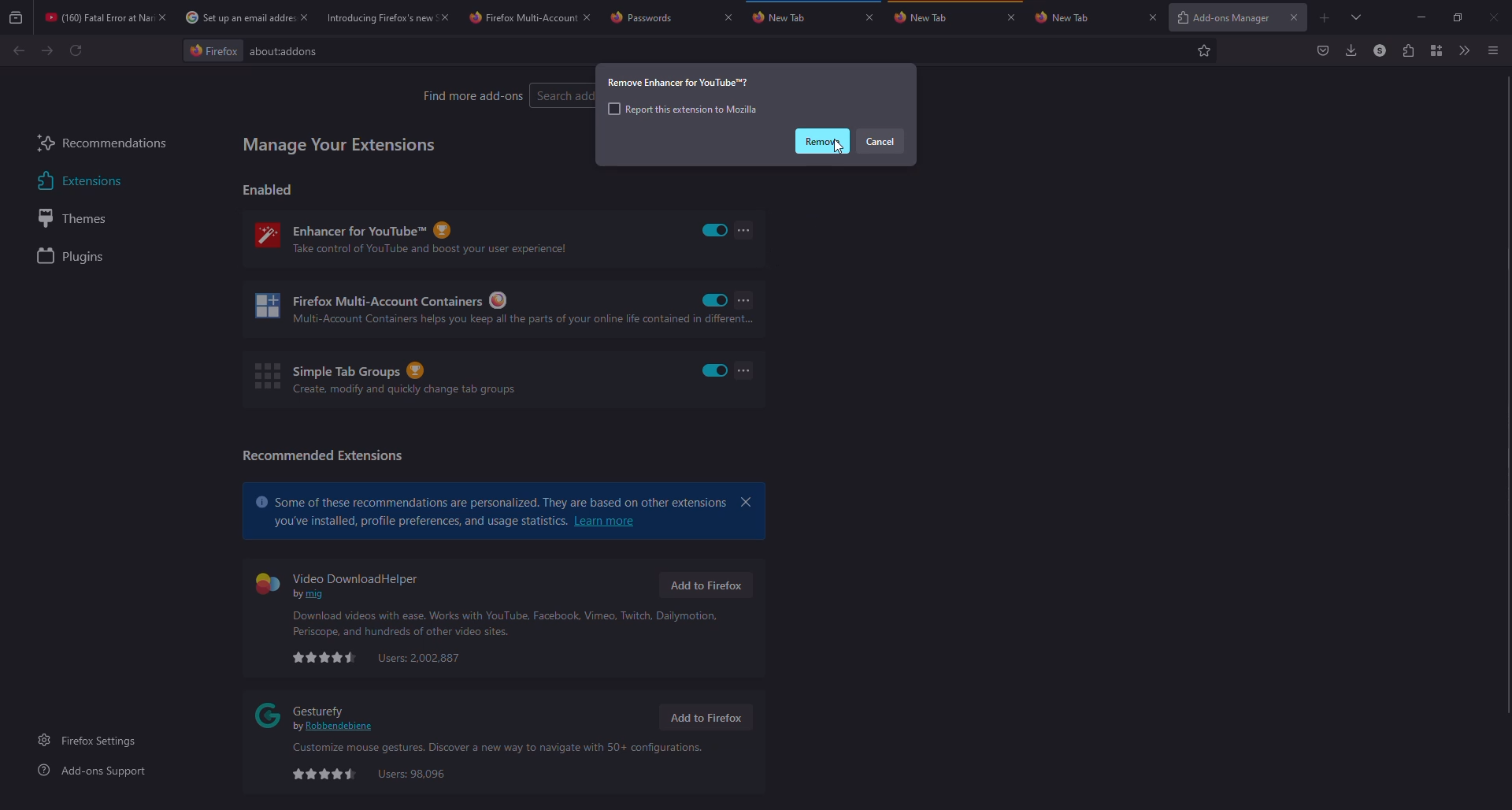  Describe the element at coordinates (1406, 50) in the screenshot. I see `extensions` at that location.